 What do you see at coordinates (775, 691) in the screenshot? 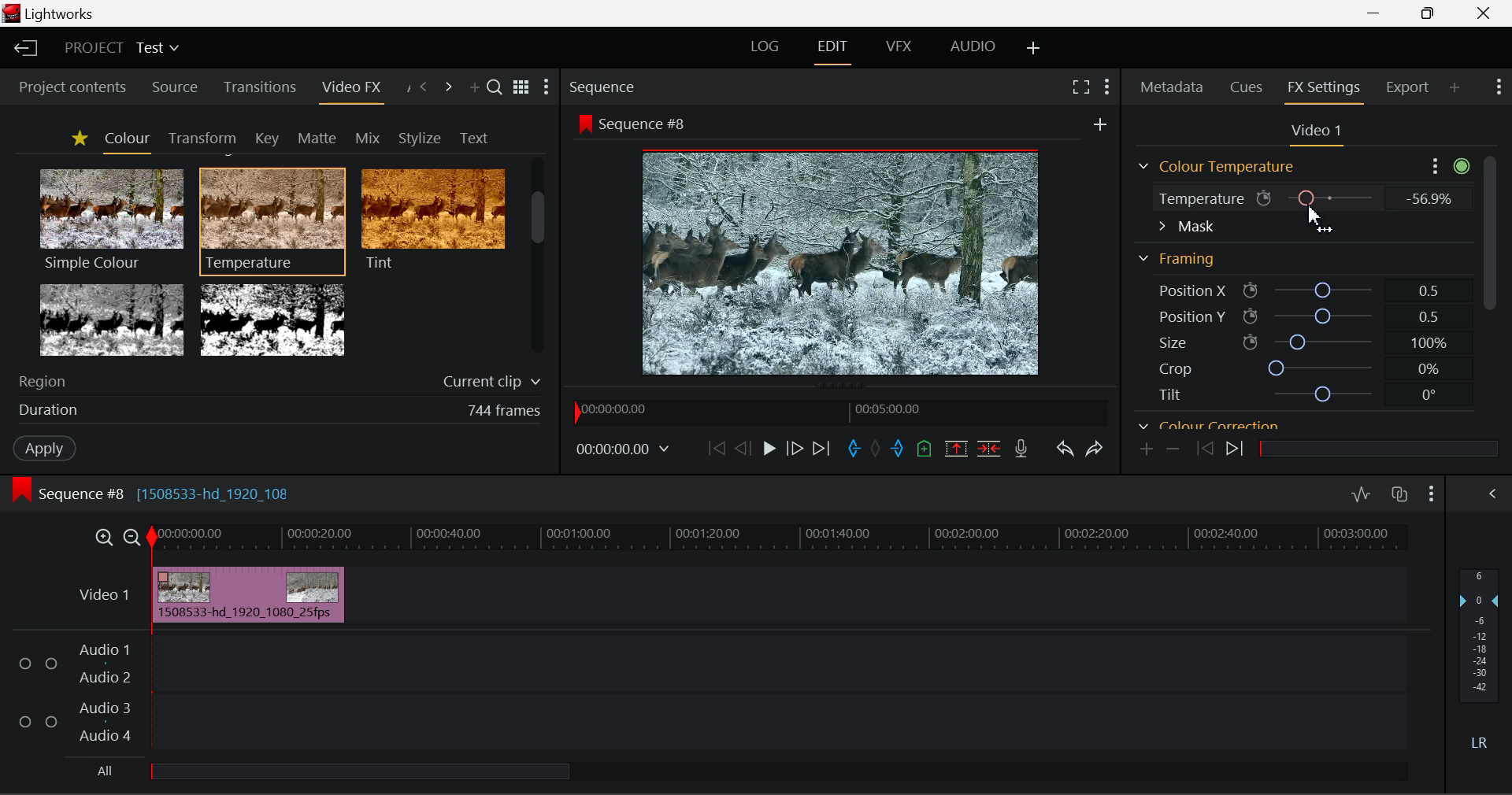
I see `Audio Input Field` at bounding box center [775, 691].